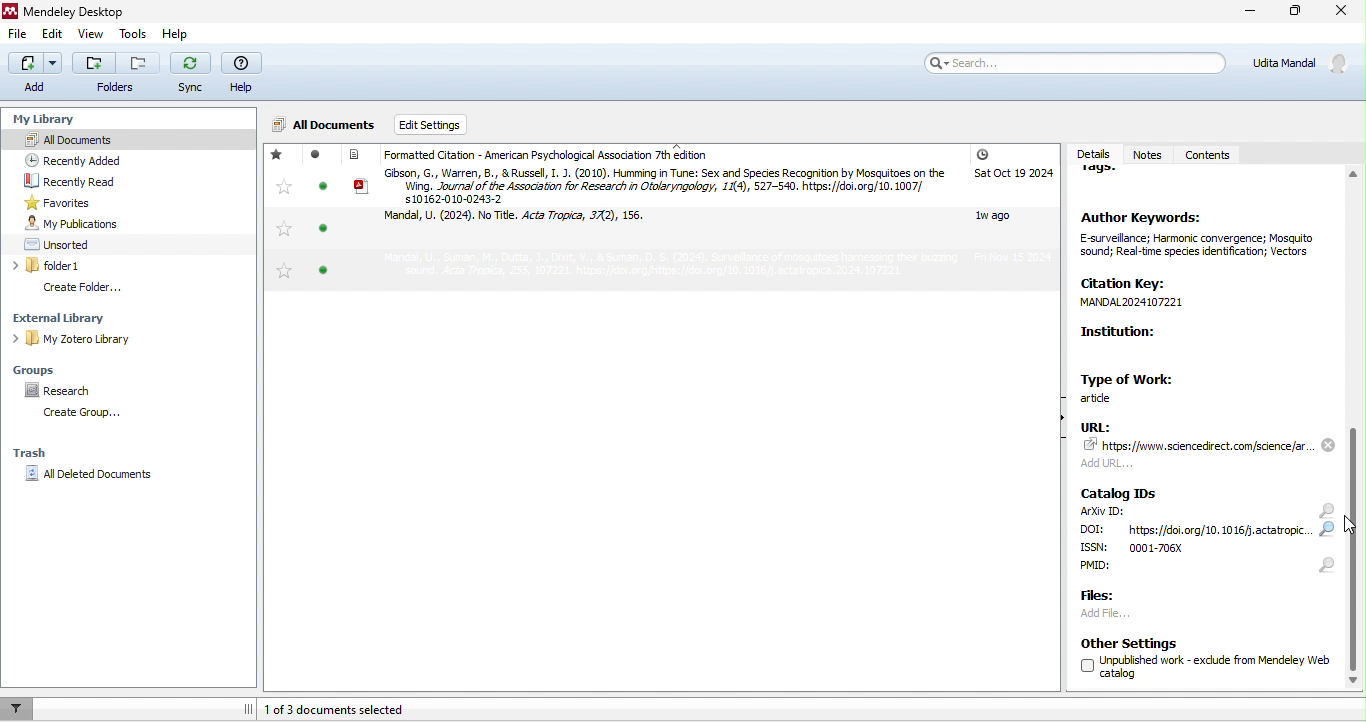 This screenshot has height=722, width=1366. Describe the element at coordinates (86, 414) in the screenshot. I see `create group` at that location.